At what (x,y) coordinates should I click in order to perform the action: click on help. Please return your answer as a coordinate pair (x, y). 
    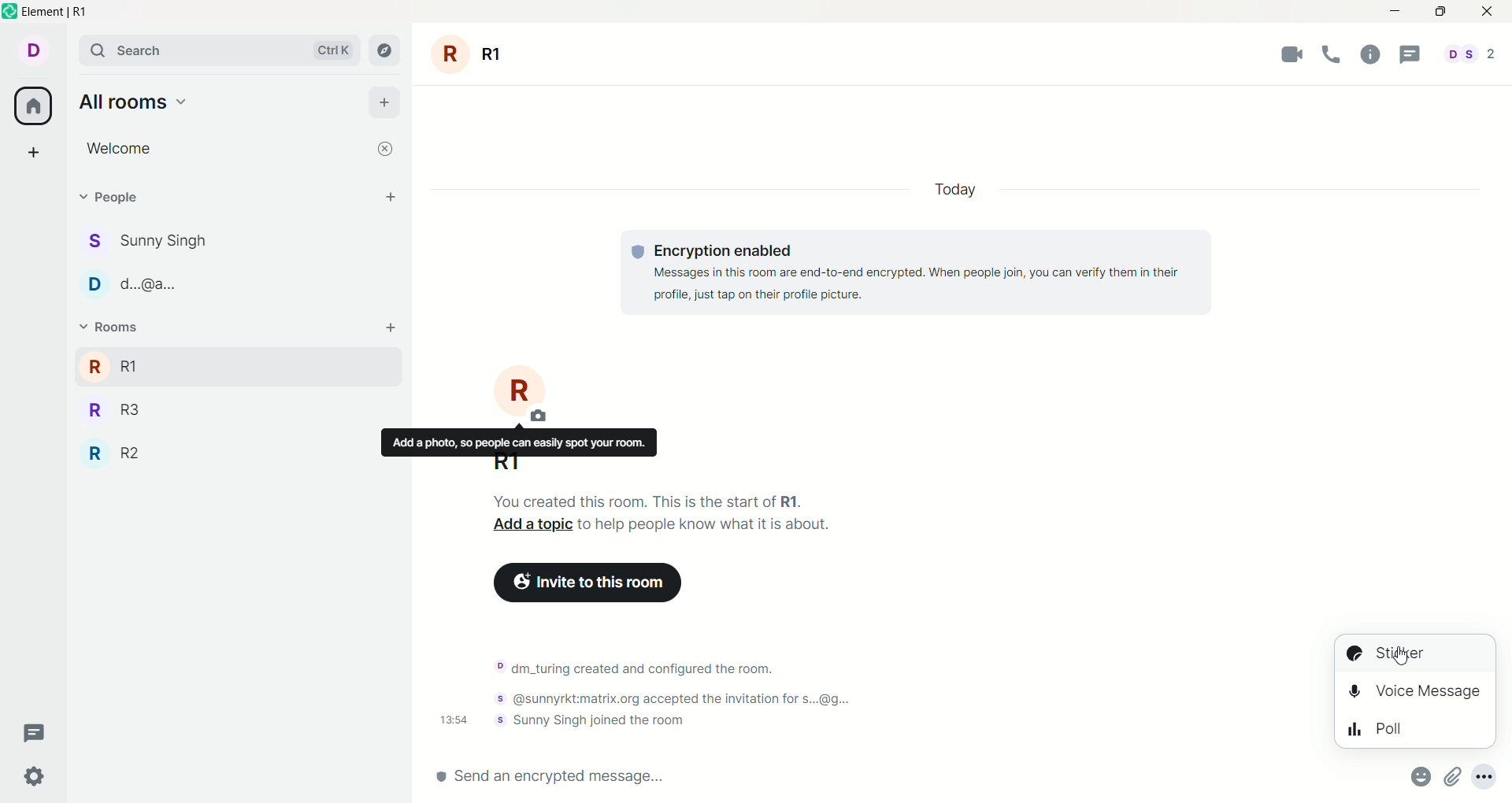
    Looking at the image, I should click on (1371, 54).